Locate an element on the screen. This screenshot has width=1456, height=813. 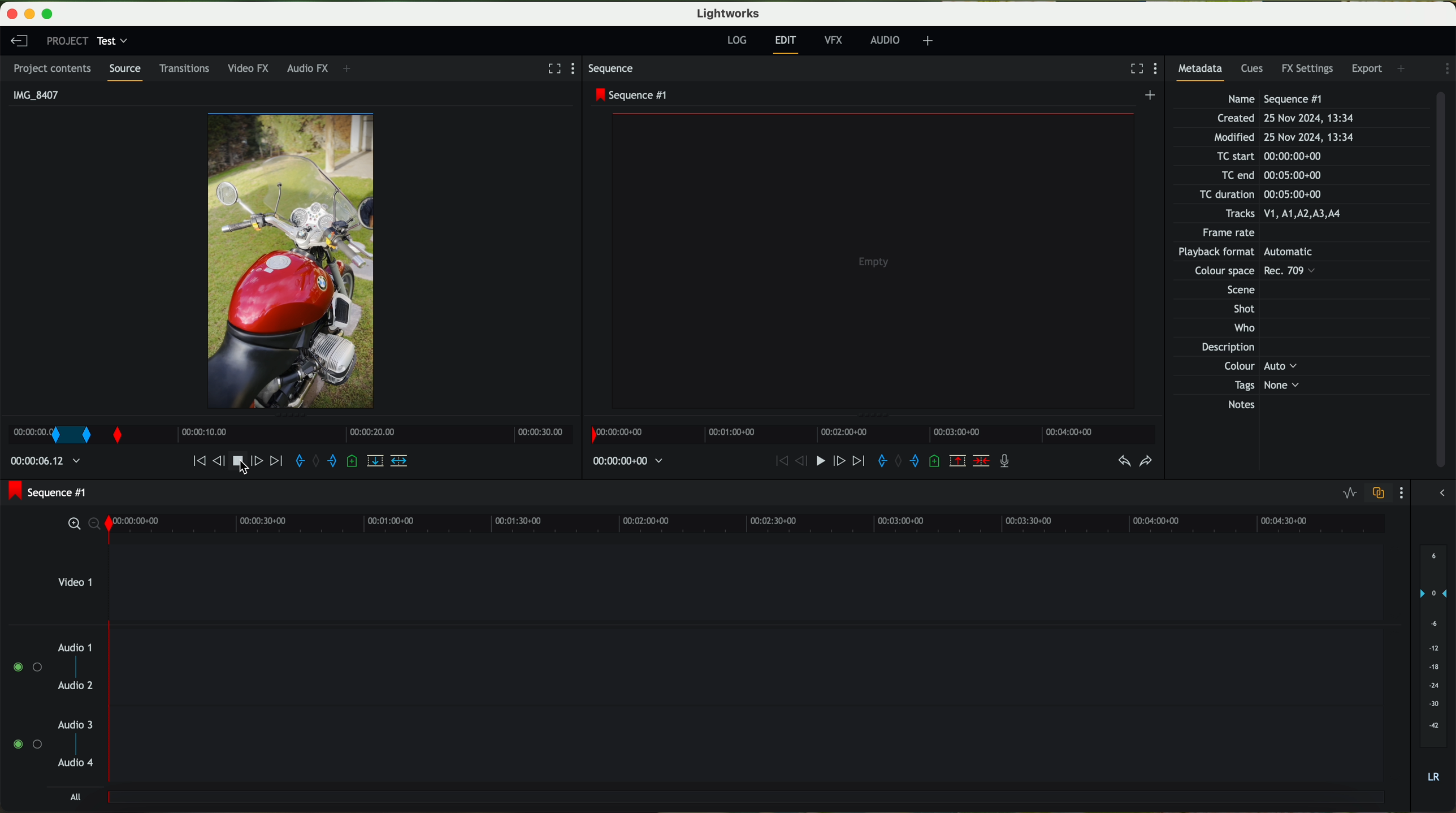
click on stop is located at coordinates (245, 469).